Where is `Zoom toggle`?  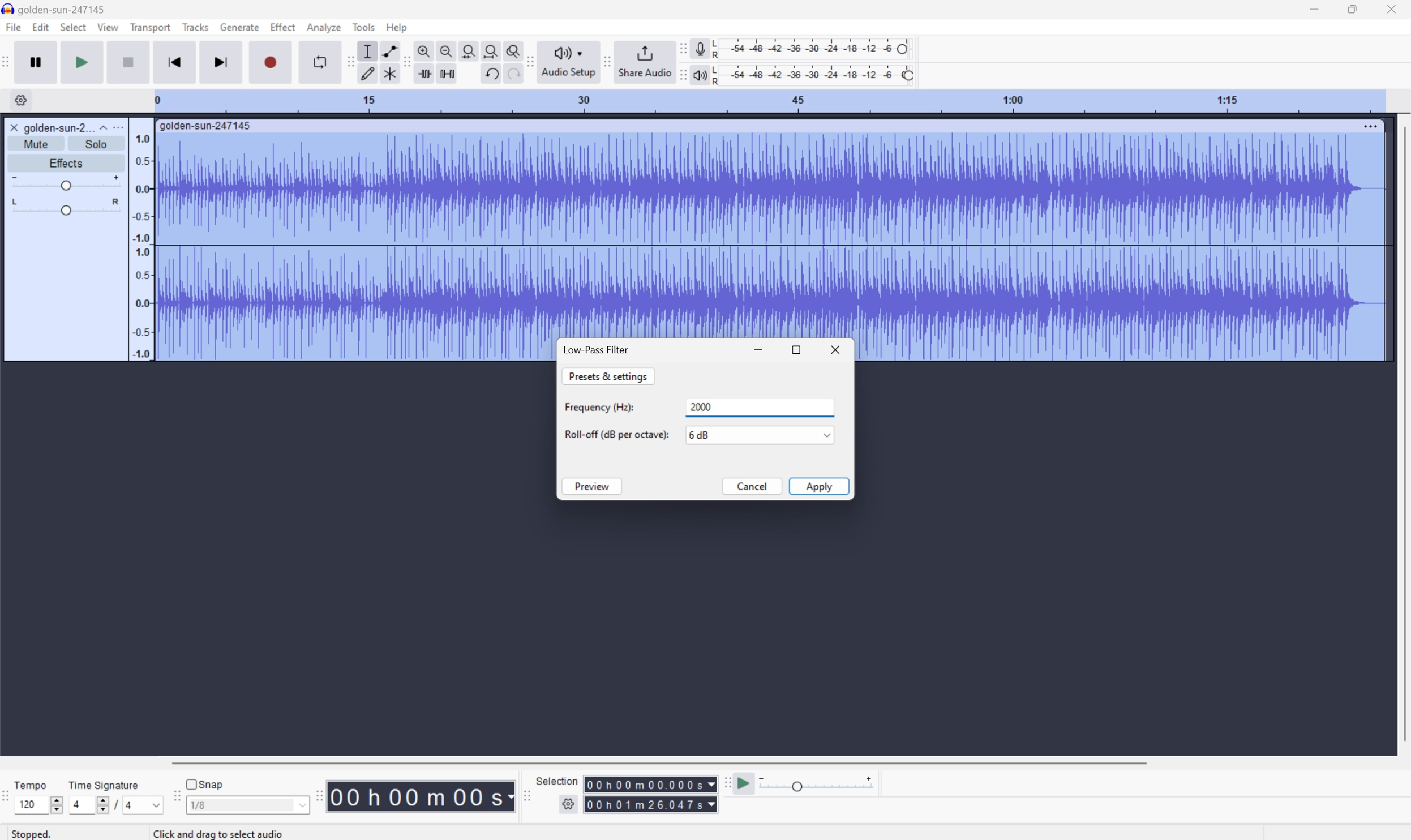 Zoom toggle is located at coordinates (509, 49).